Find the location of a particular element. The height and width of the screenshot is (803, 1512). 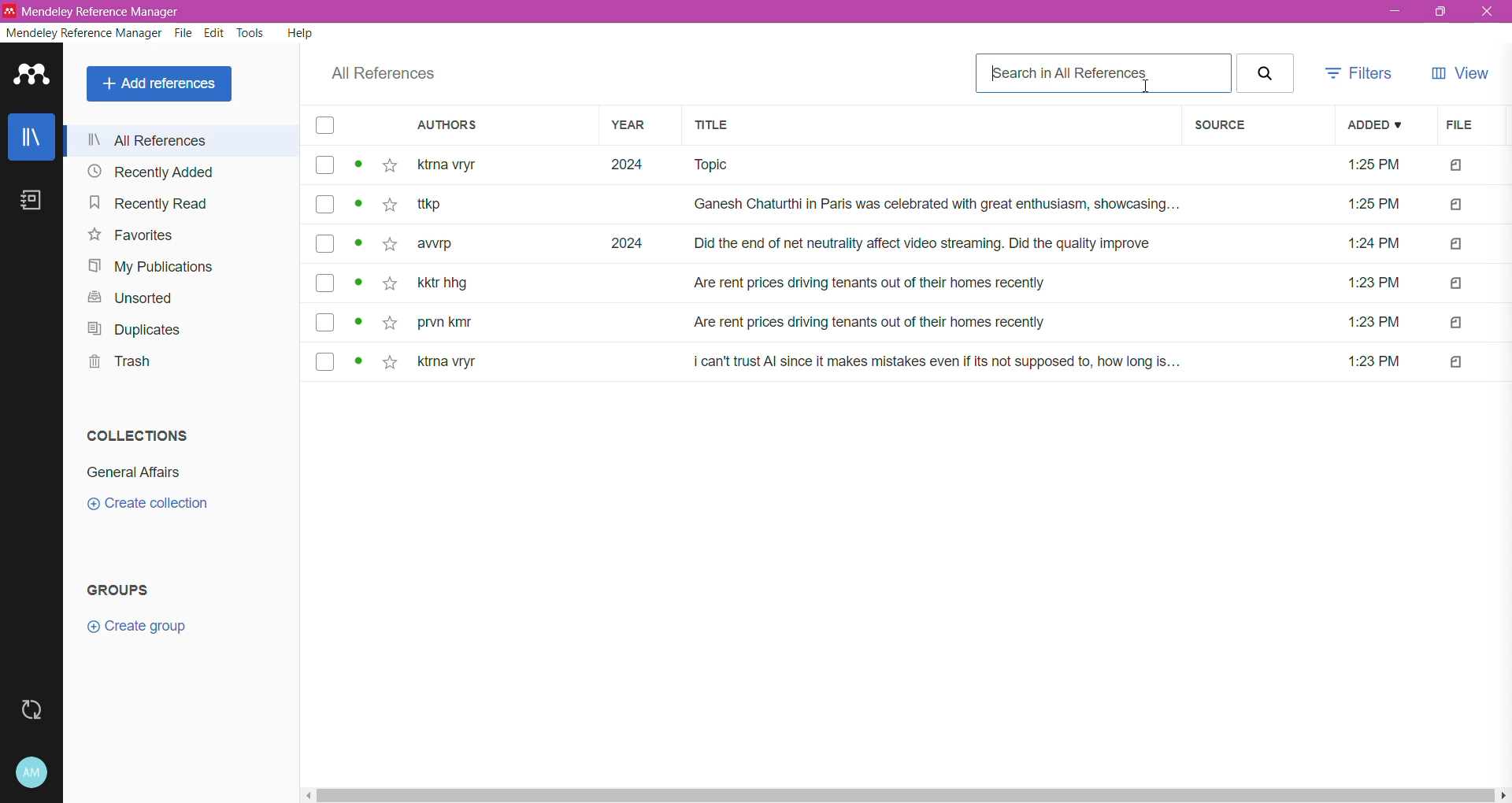

View is located at coordinates (1462, 72).